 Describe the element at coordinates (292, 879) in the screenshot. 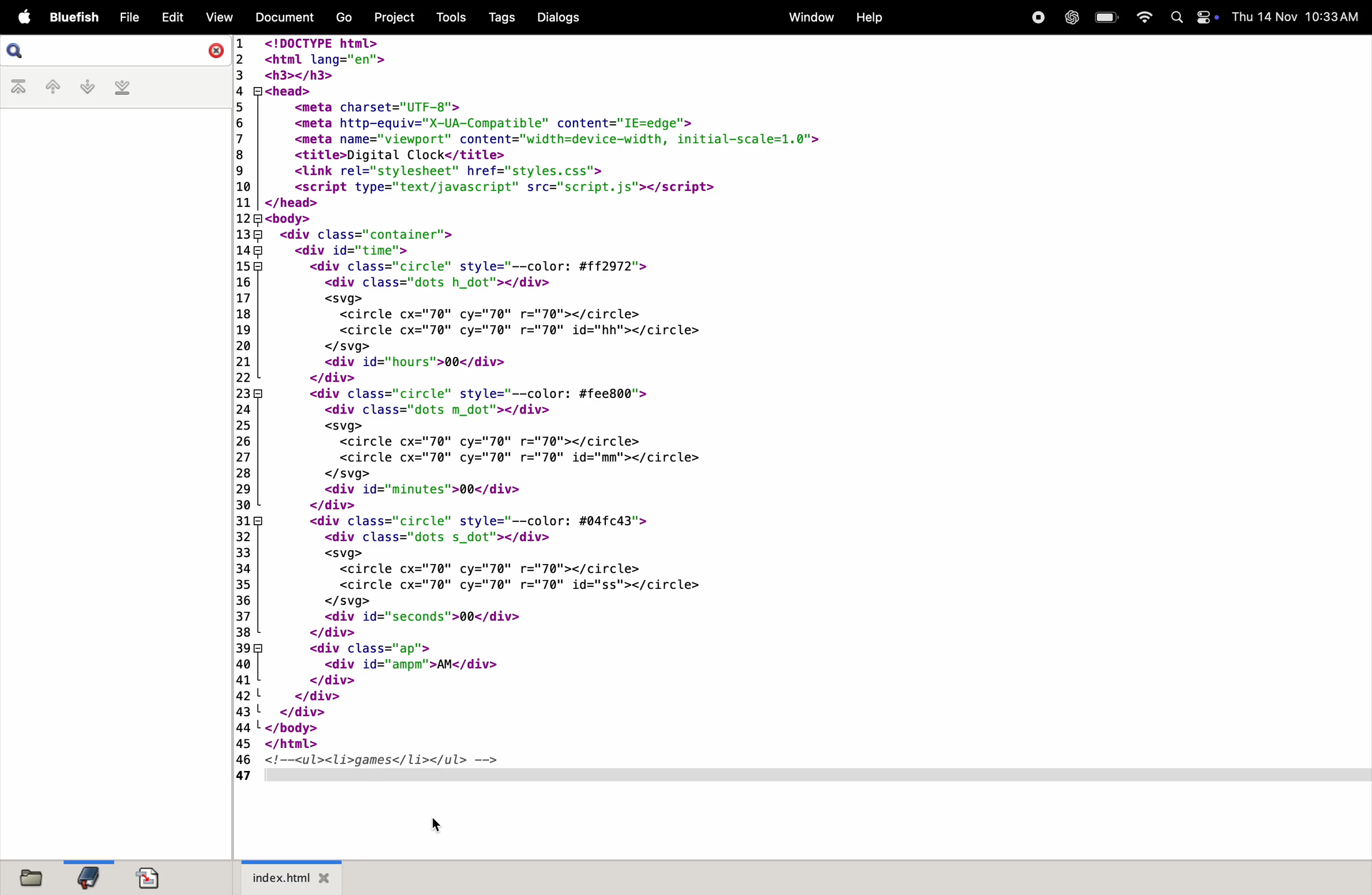

I see `index.html` at that location.